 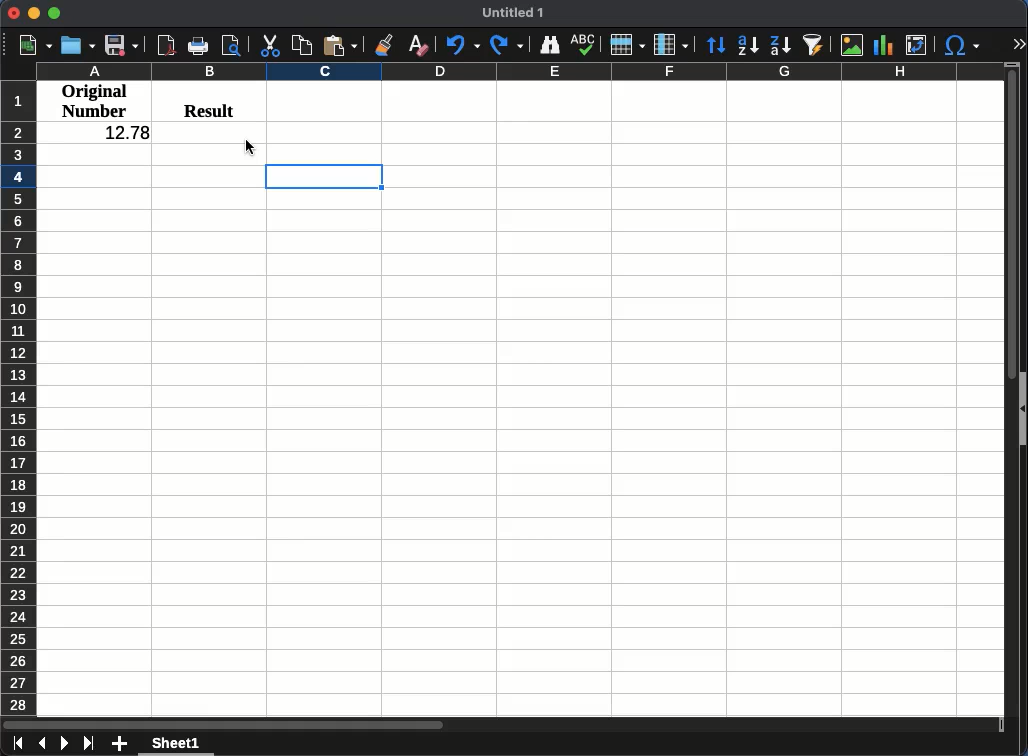 What do you see at coordinates (209, 107) in the screenshot?
I see `result` at bounding box center [209, 107].